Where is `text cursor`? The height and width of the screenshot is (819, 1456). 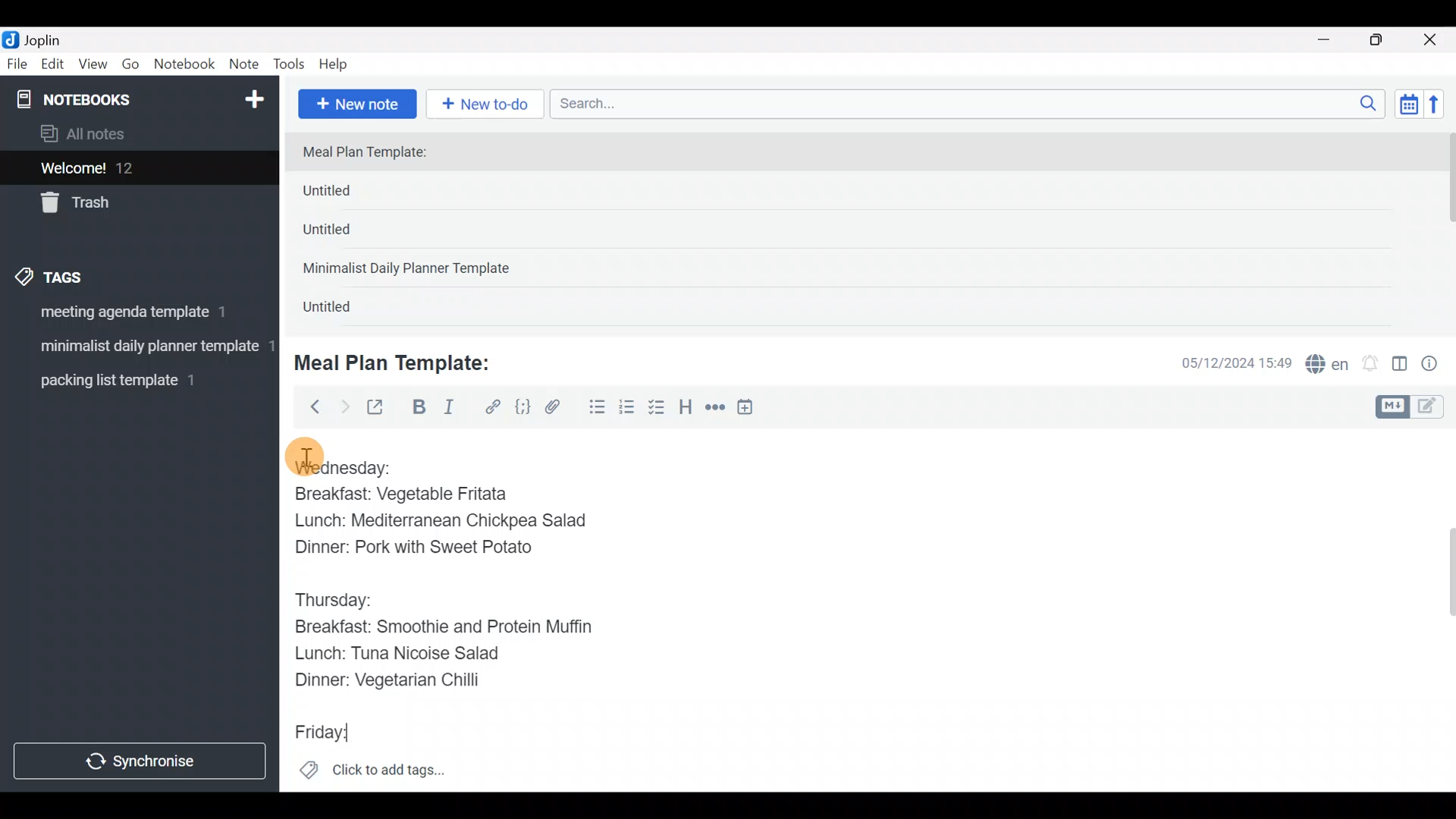
text cursor is located at coordinates (370, 734).